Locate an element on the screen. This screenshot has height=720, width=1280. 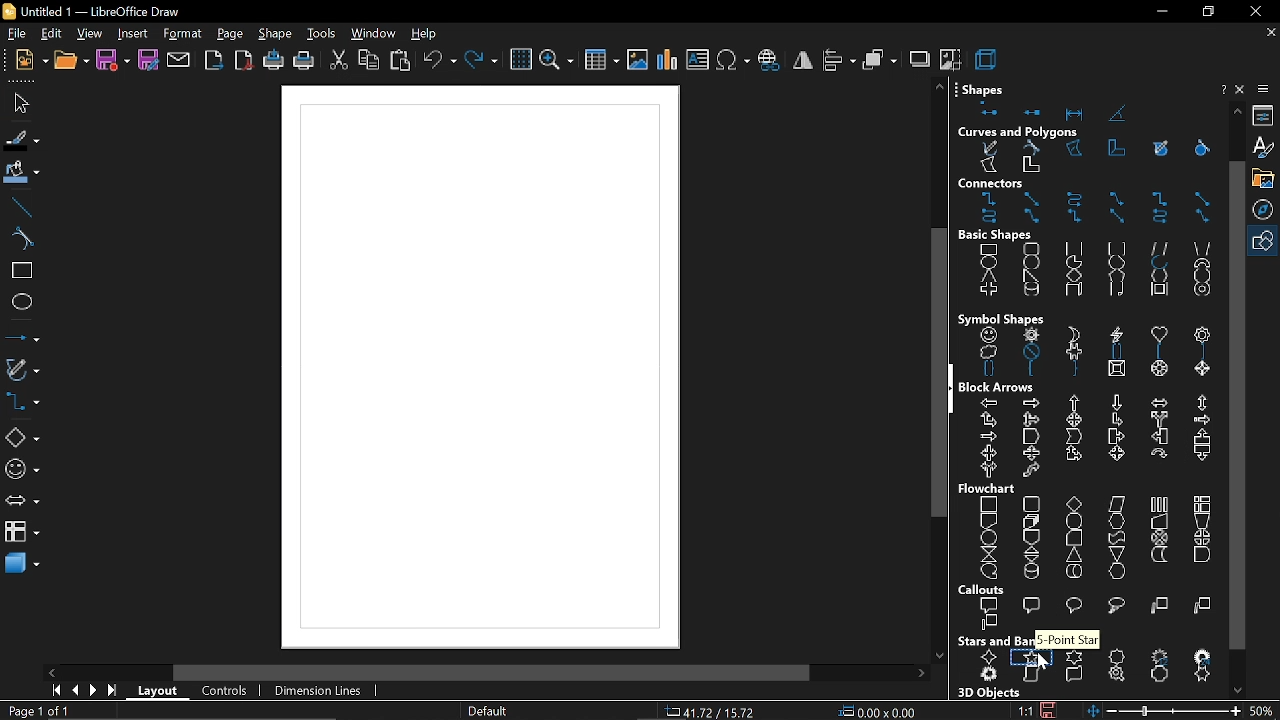
shapes is located at coordinates (1091, 112).